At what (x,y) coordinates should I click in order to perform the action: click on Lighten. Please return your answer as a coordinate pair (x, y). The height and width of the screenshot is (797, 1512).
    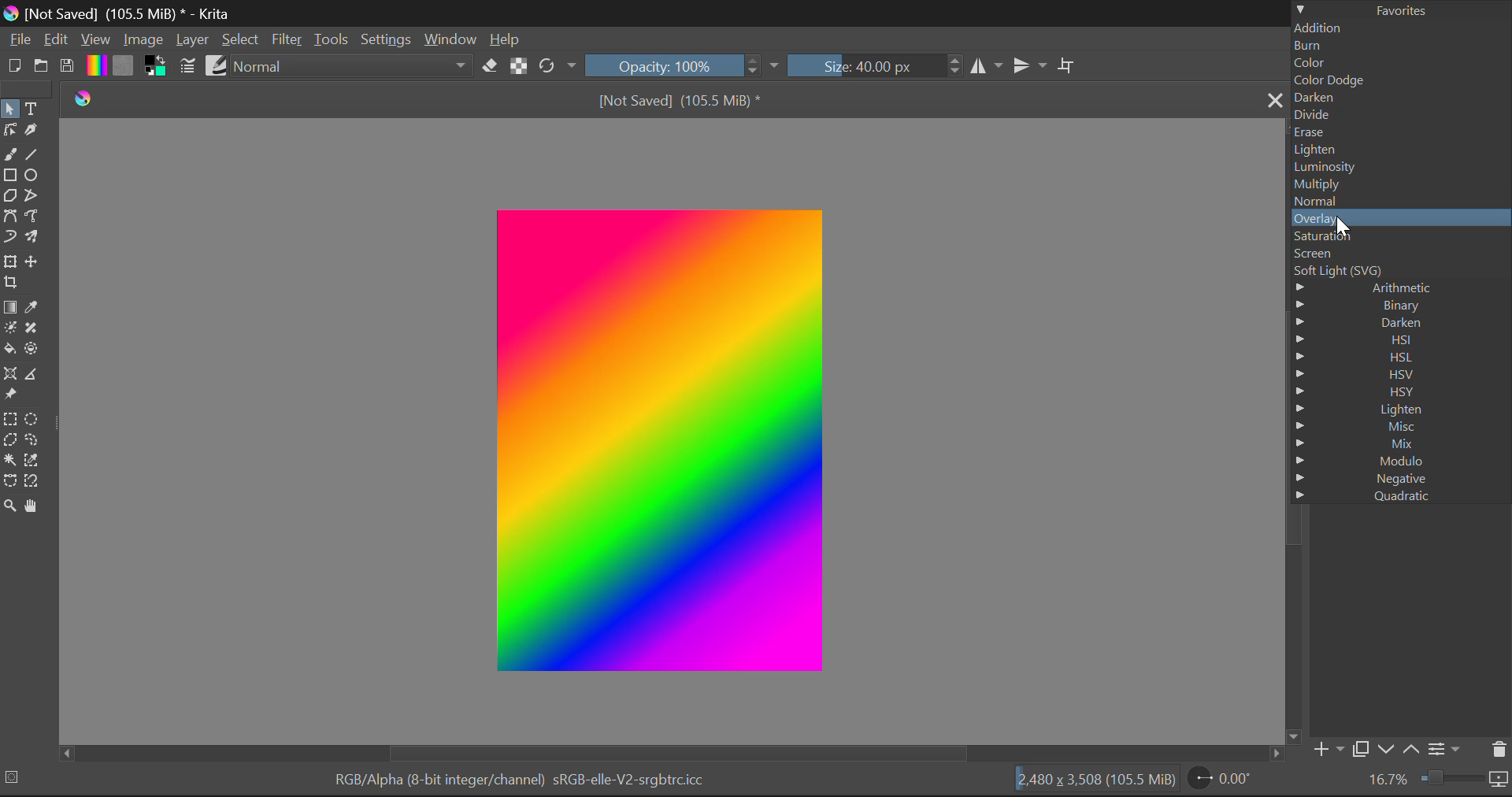
    Looking at the image, I should click on (1399, 410).